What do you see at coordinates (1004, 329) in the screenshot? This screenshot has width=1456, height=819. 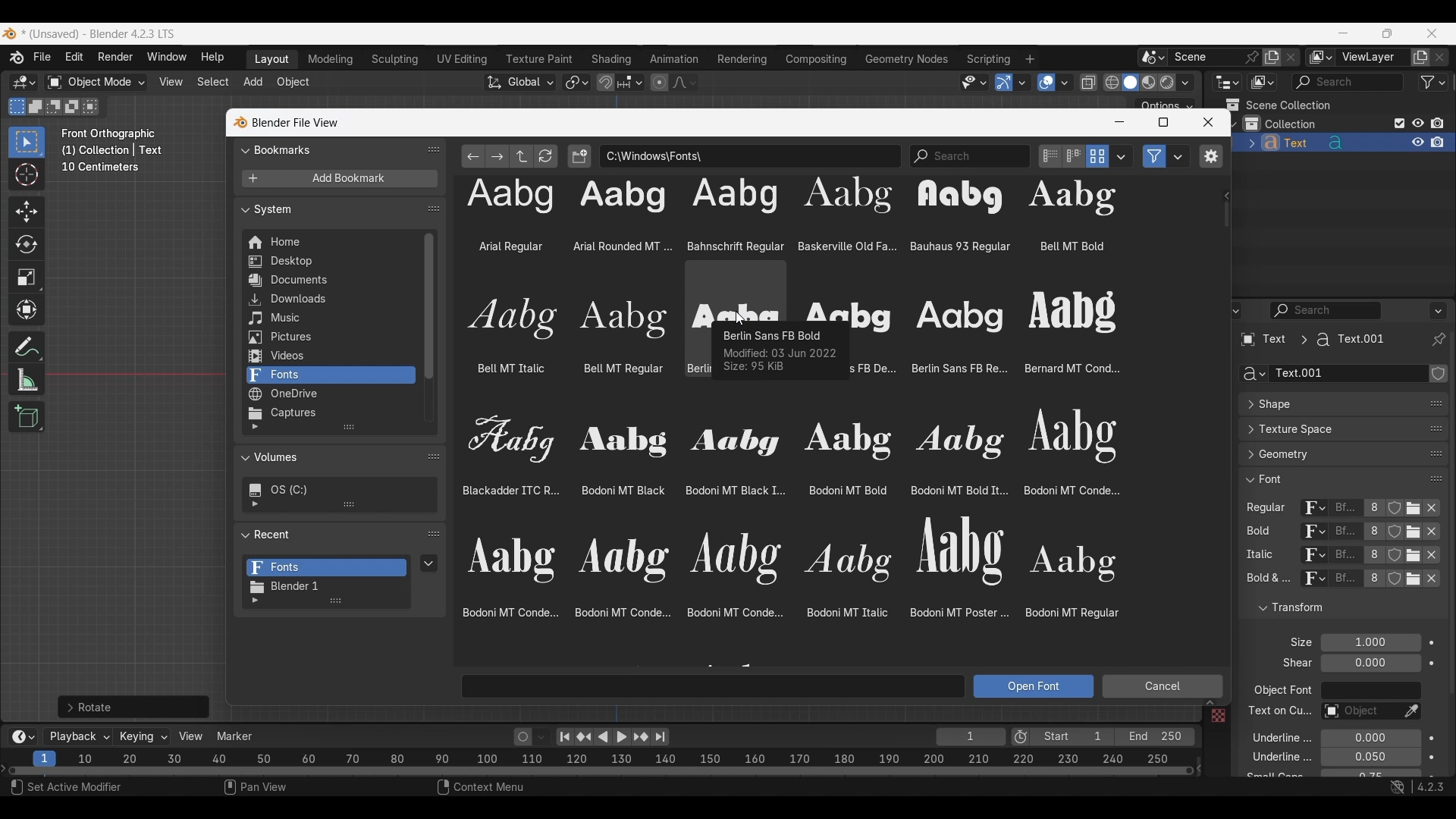 I see `font options` at bounding box center [1004, 329].